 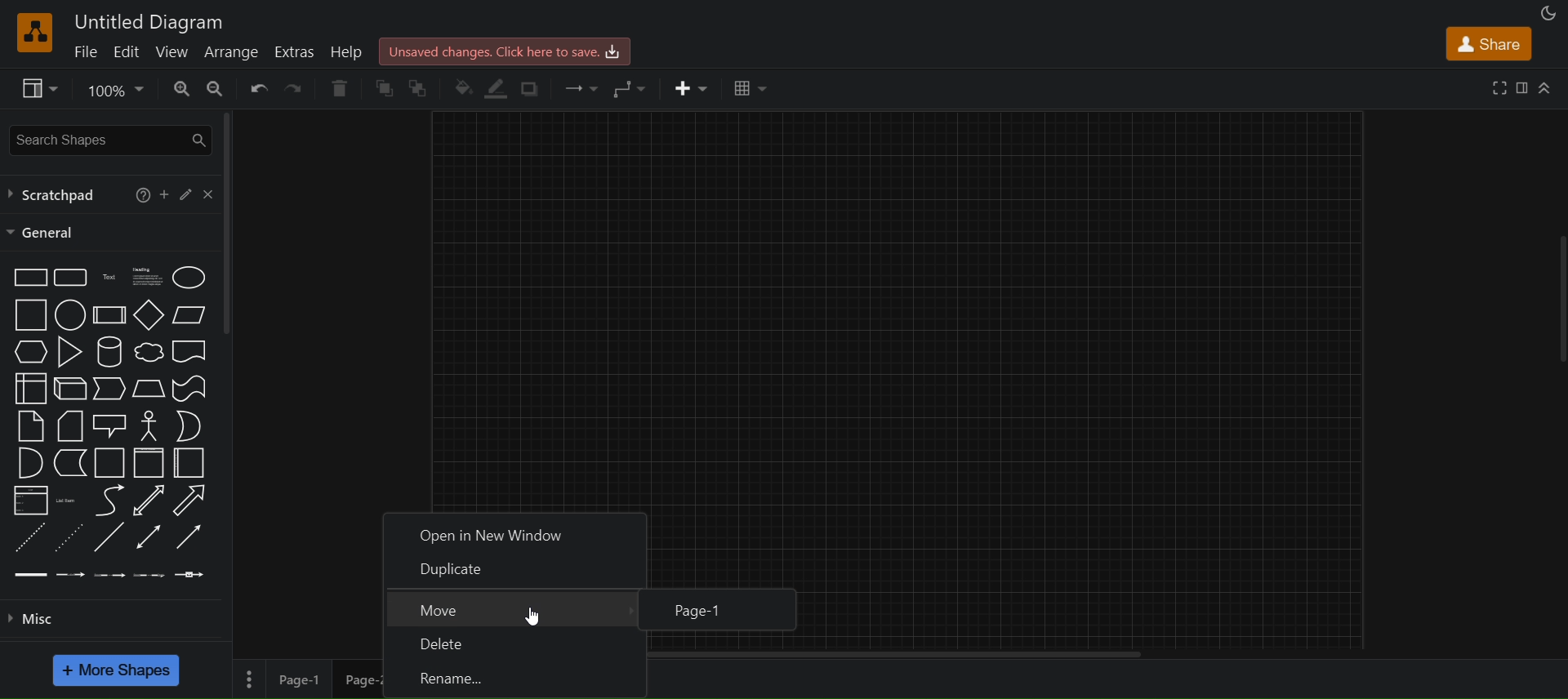 I want to click on misc, so click(x=109, y=621).